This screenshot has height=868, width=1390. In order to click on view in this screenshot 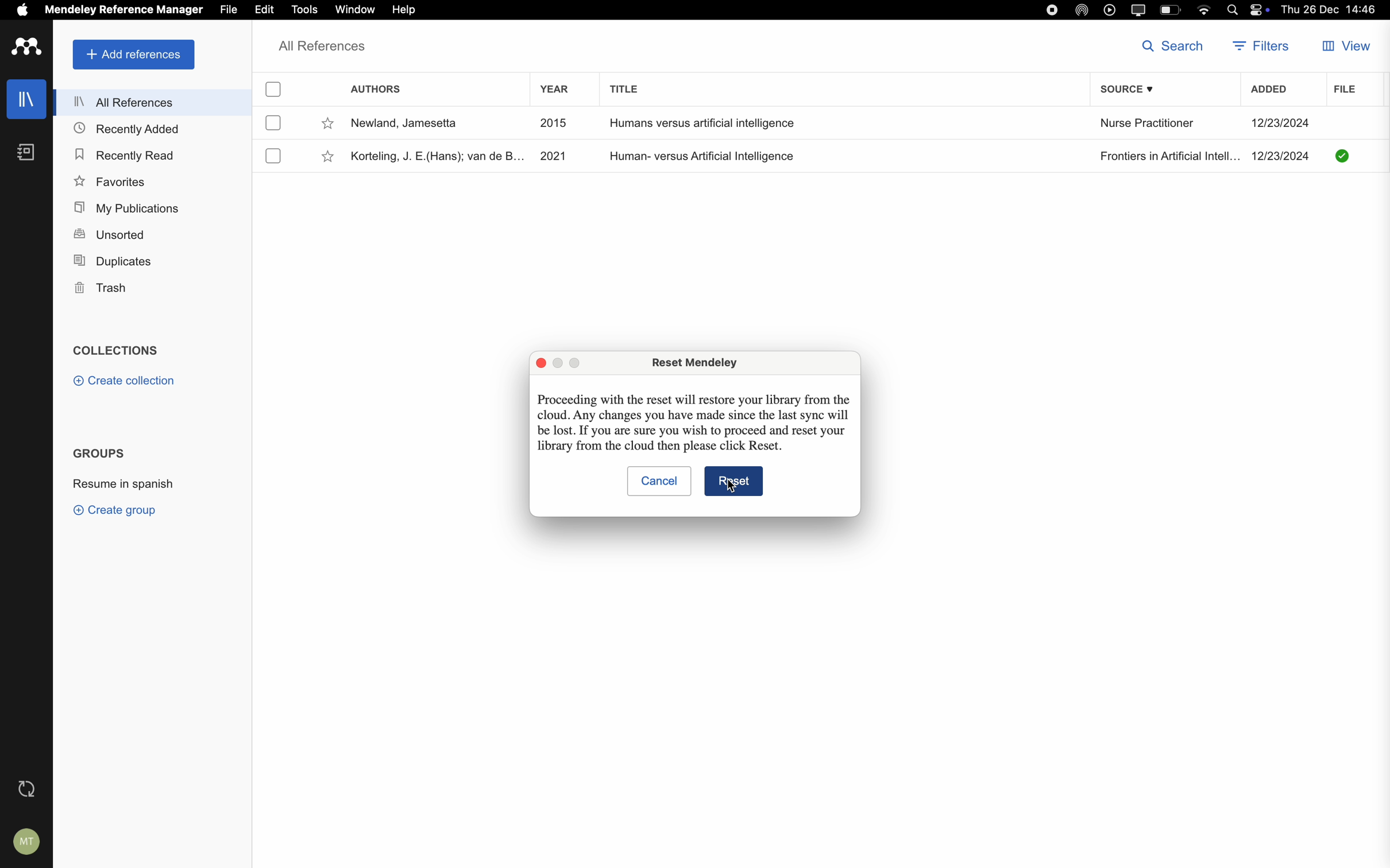, I will do `click(1347, 46)`.